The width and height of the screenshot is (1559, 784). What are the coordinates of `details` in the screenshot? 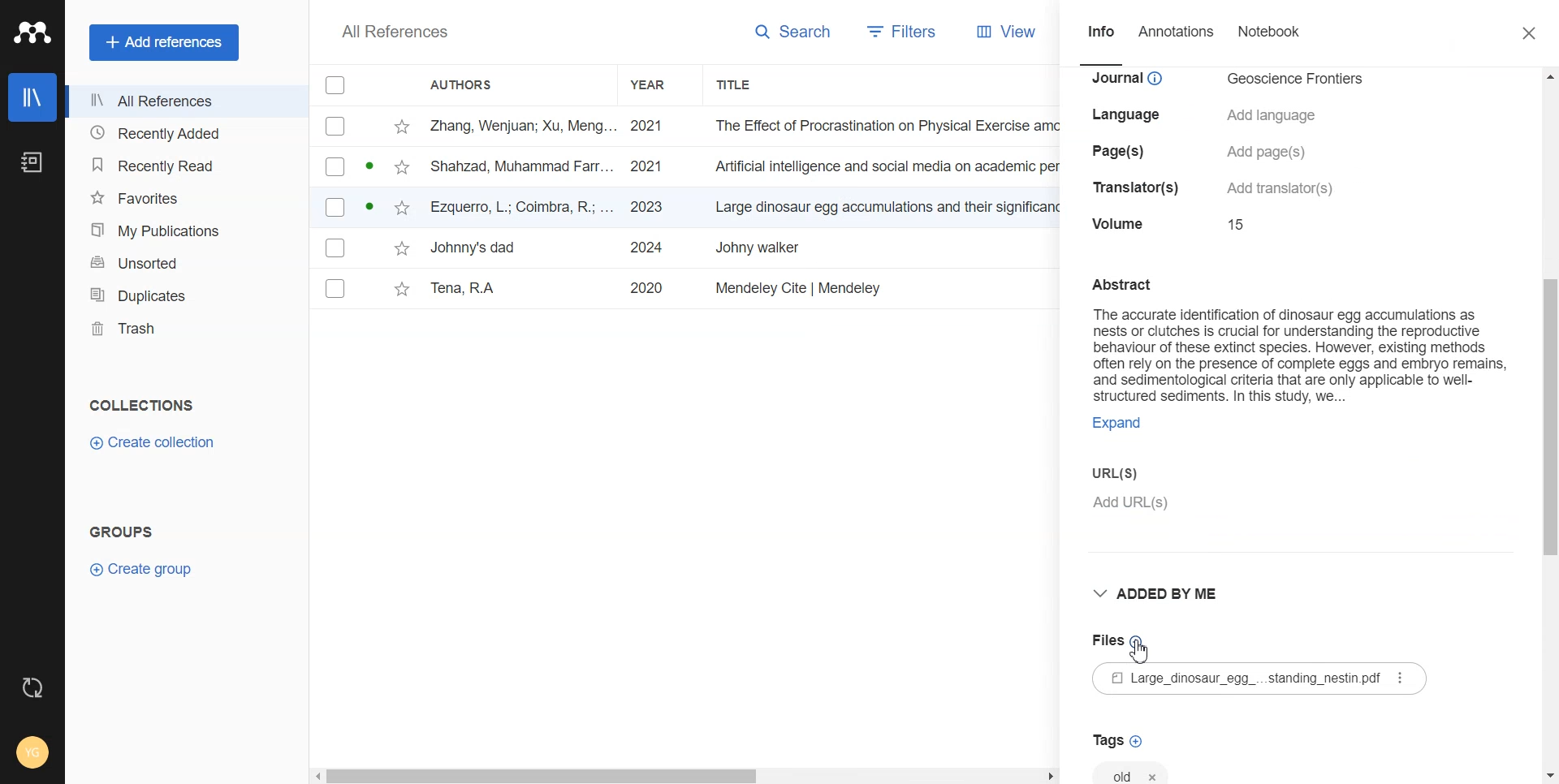 It's located at (1121, 223).